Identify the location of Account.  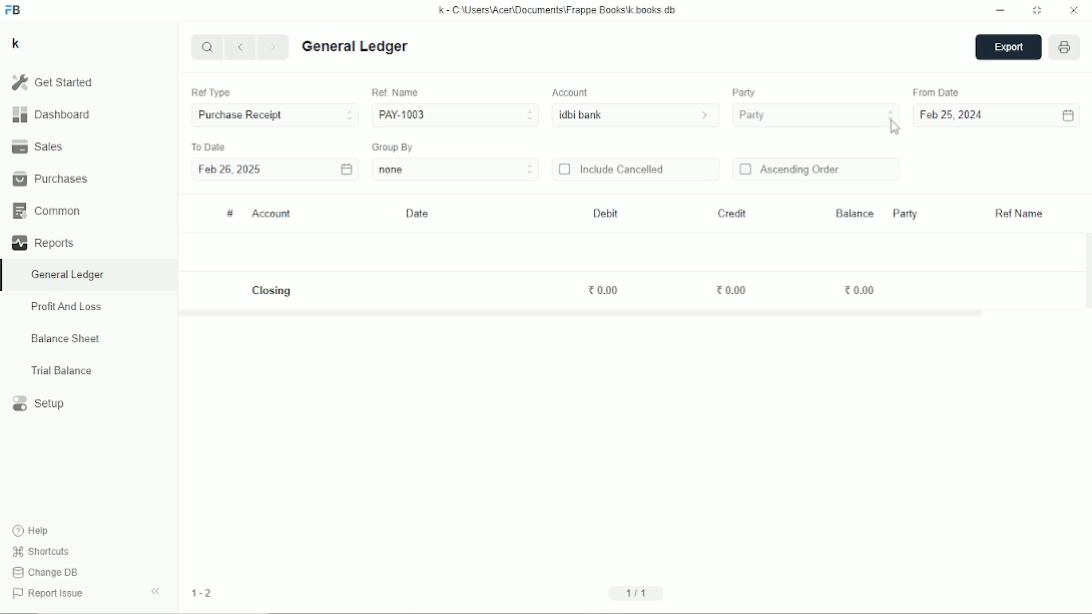
(272, 214).